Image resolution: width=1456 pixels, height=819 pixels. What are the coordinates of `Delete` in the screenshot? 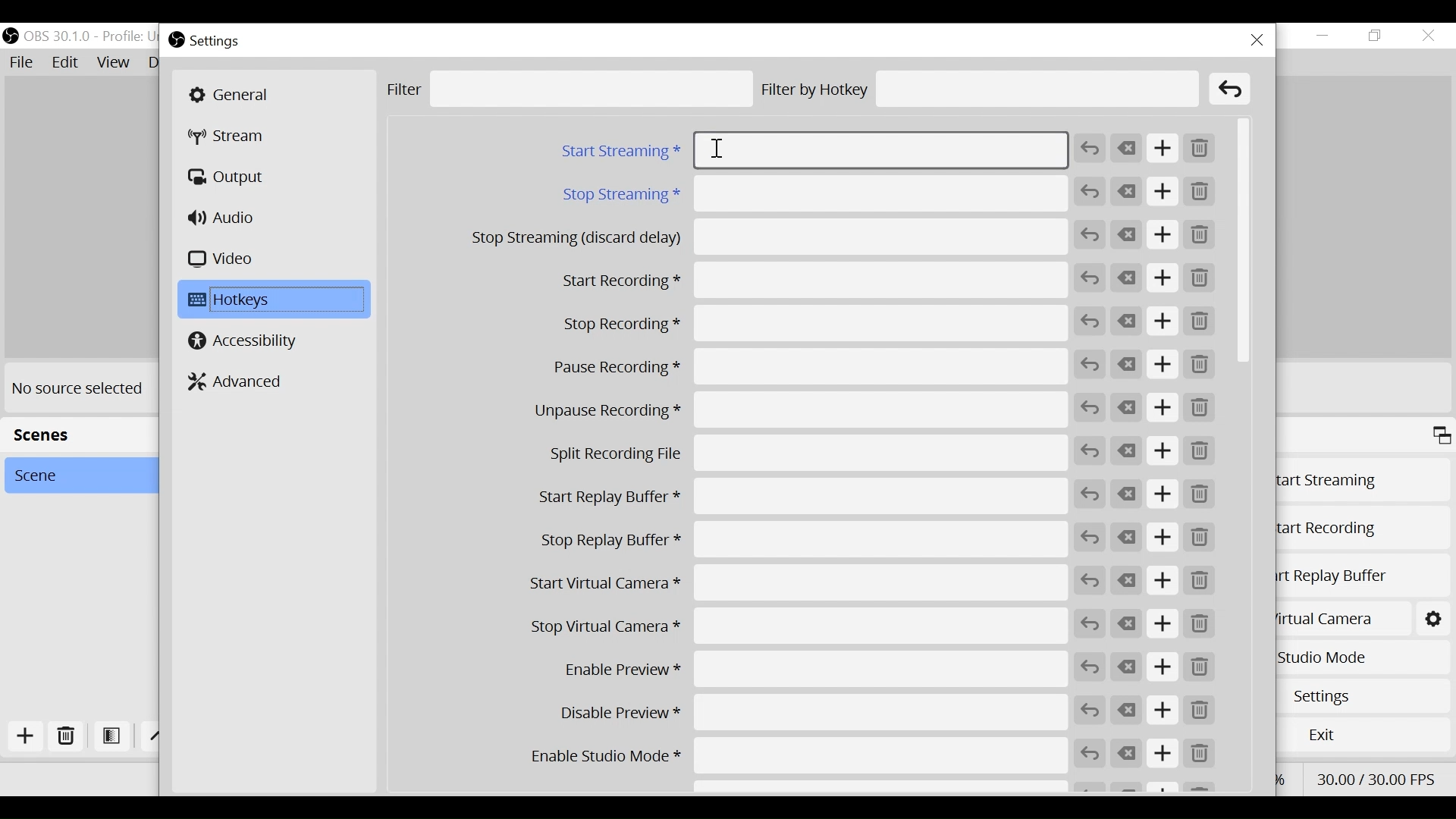 It's located at (67, 737).